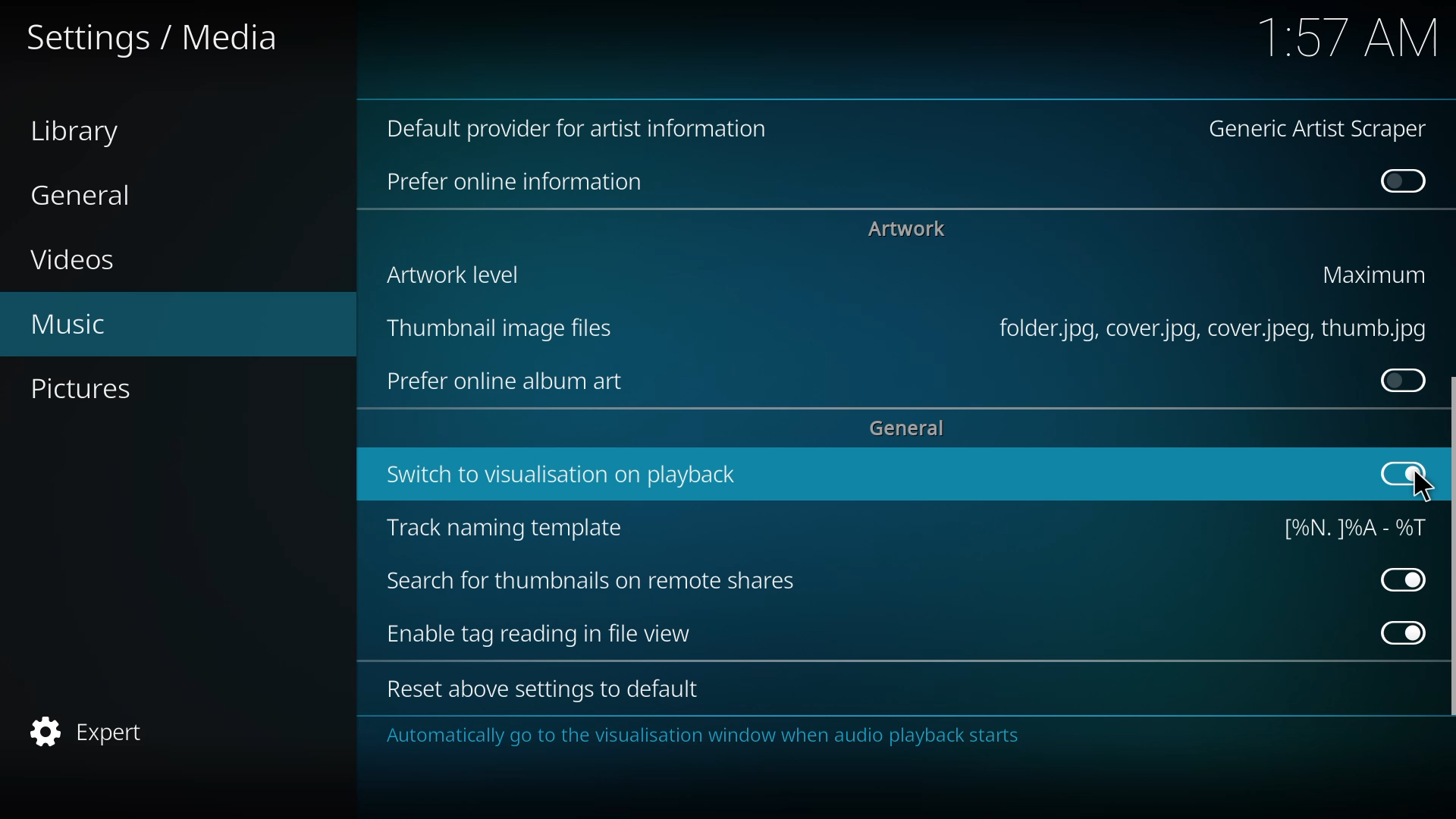  I want to click on enabled, so click(1398, 631).